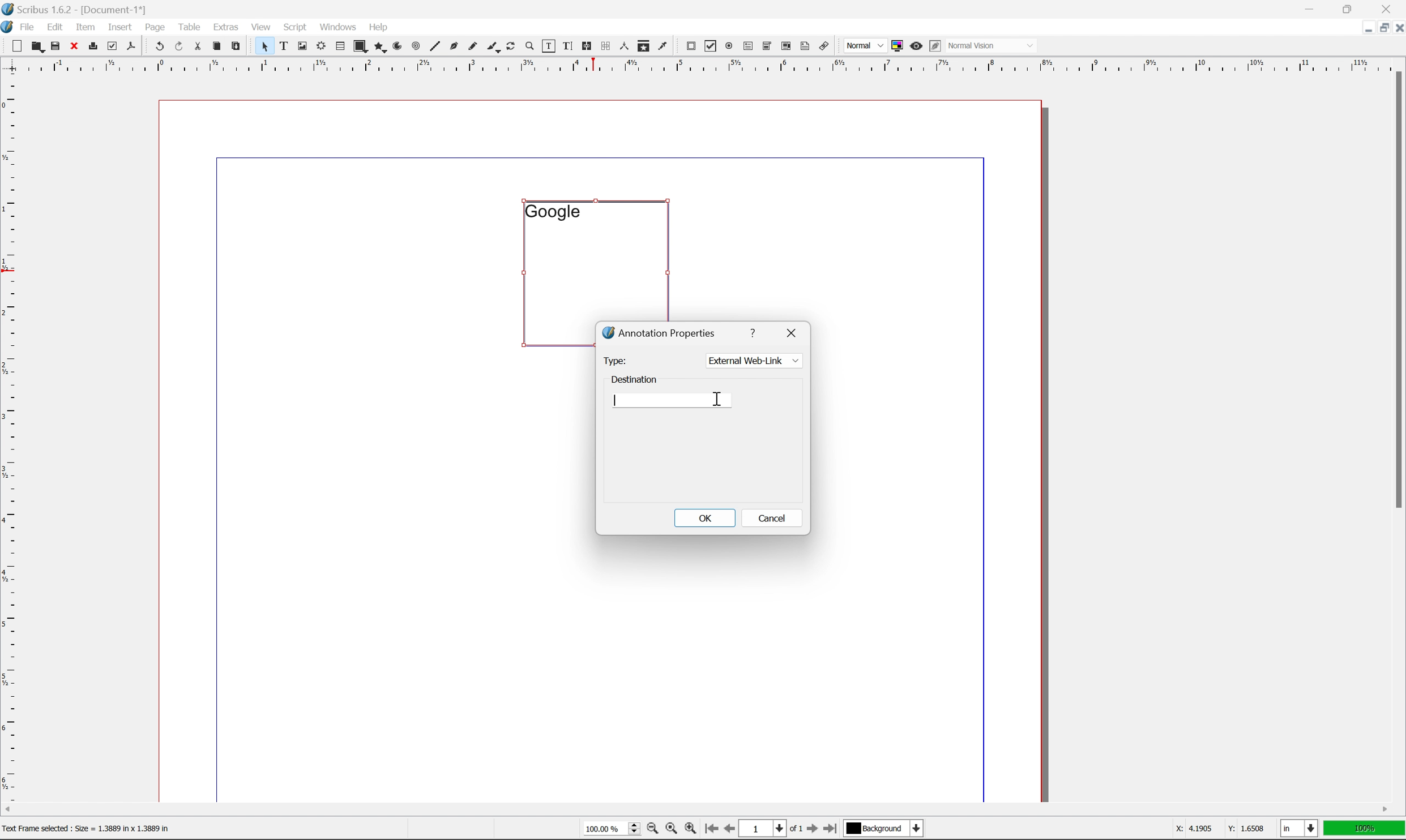  What do you see at coordinates (704, 517) in the screenshot?
I see `OK` at bounding box center [704, 517].